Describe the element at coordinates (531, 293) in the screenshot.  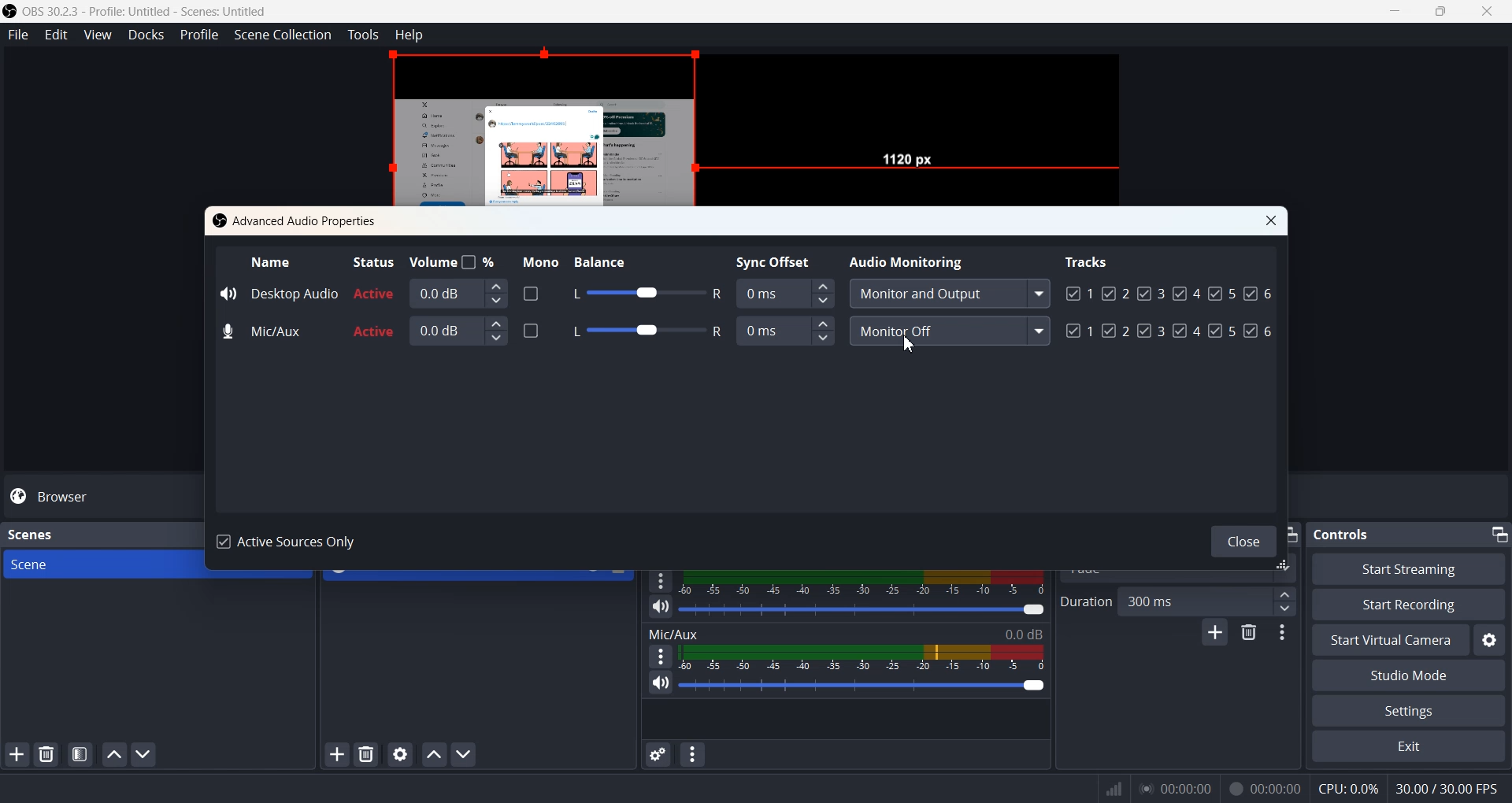
I see `Enable disable ` at that location.